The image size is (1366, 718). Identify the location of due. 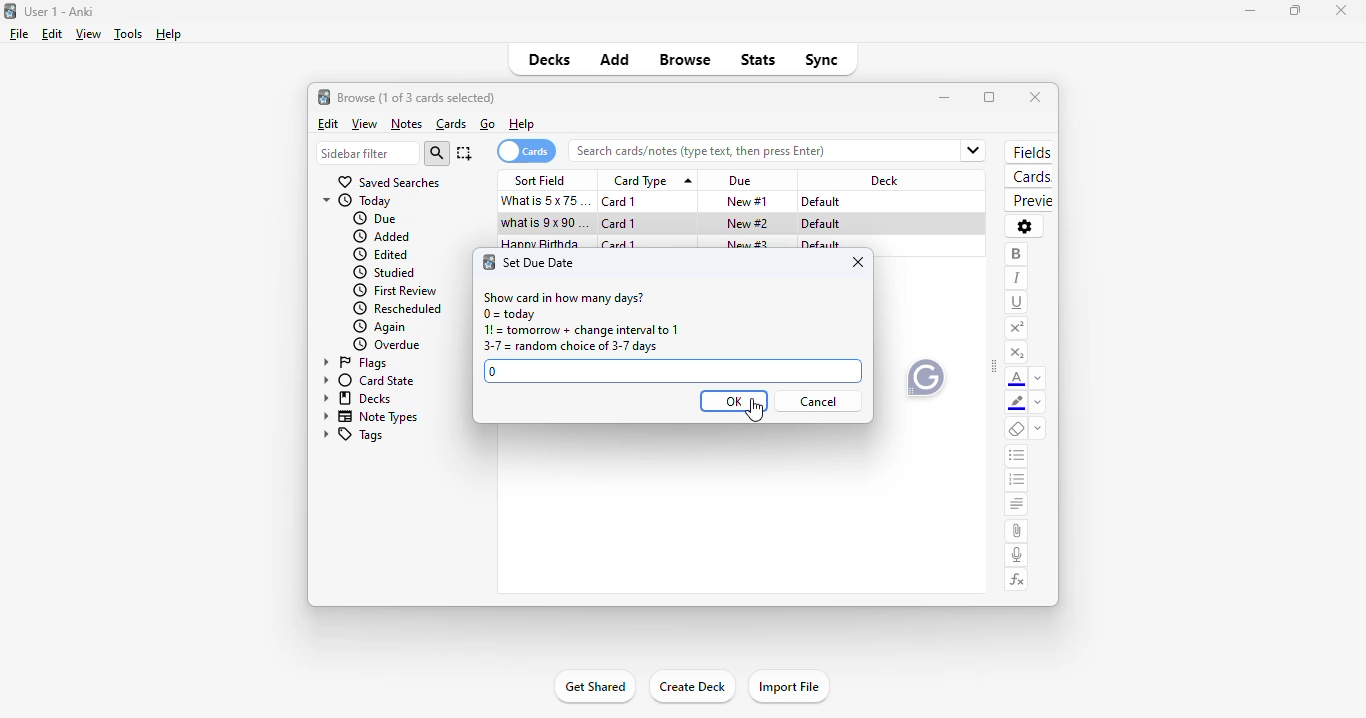
(375, 218).